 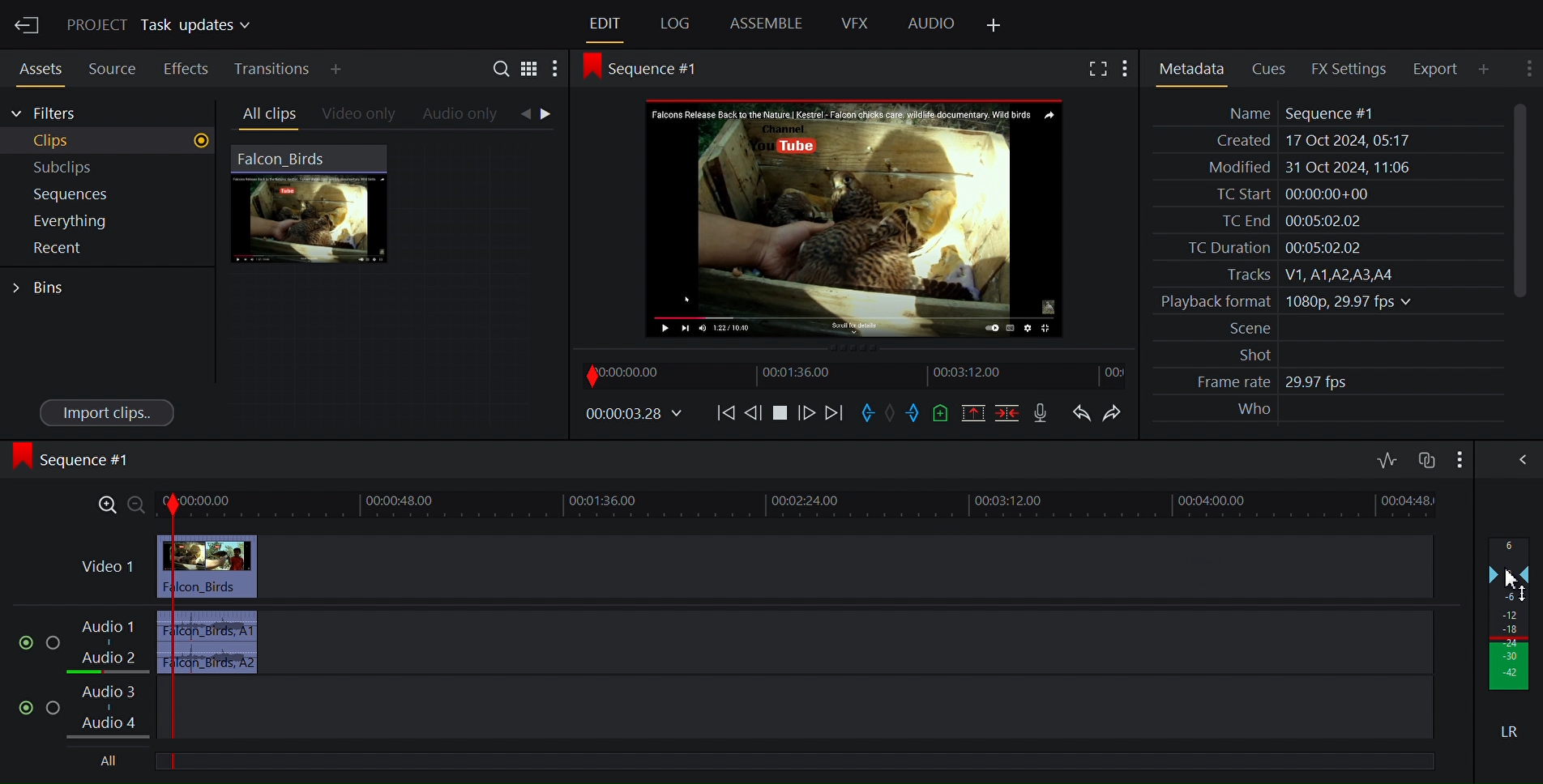 I want to click on Bins, so click(x=47, y=286).